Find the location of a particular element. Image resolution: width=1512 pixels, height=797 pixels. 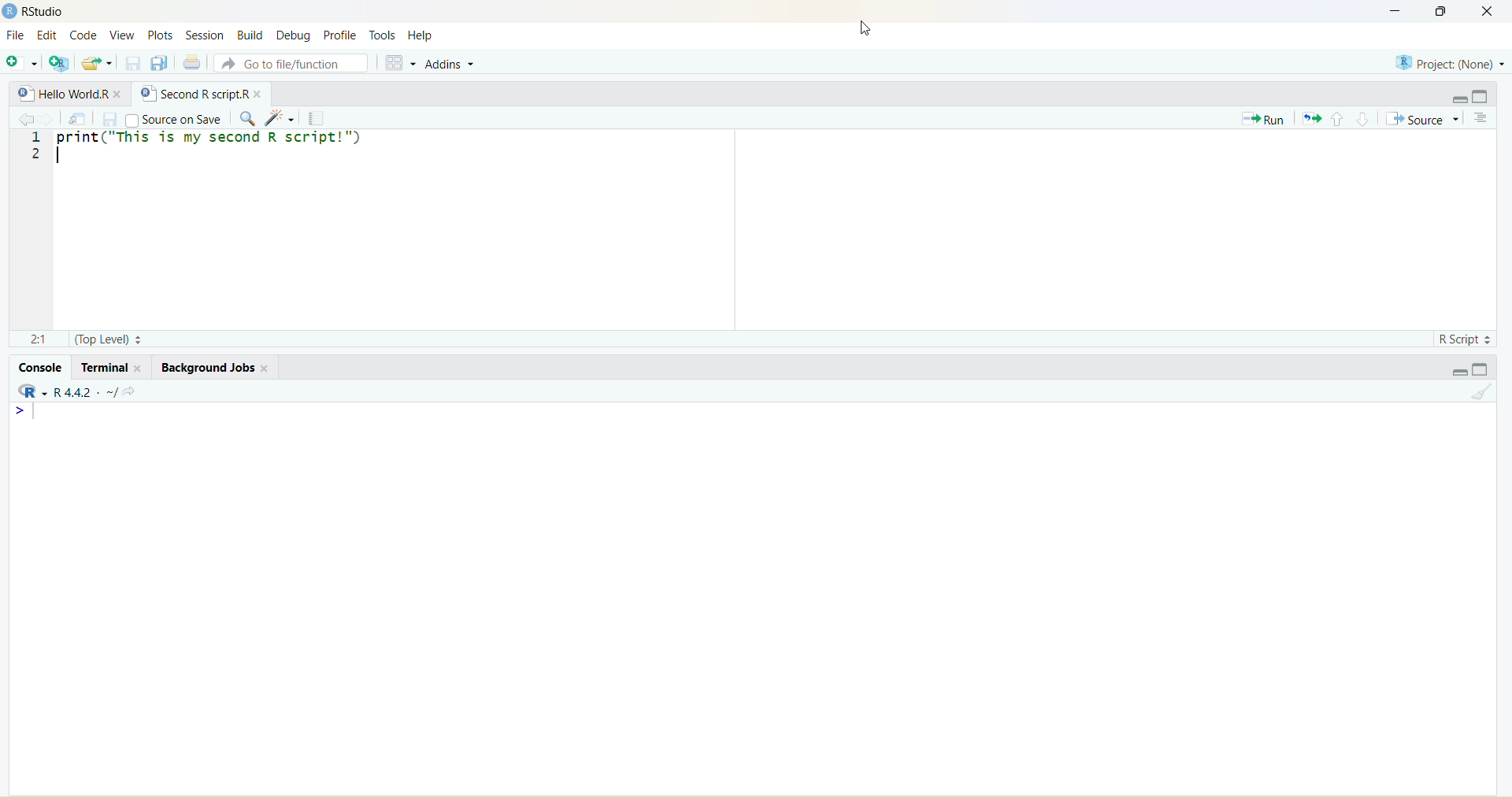

Source on Save is located at coordinates (174, 119).